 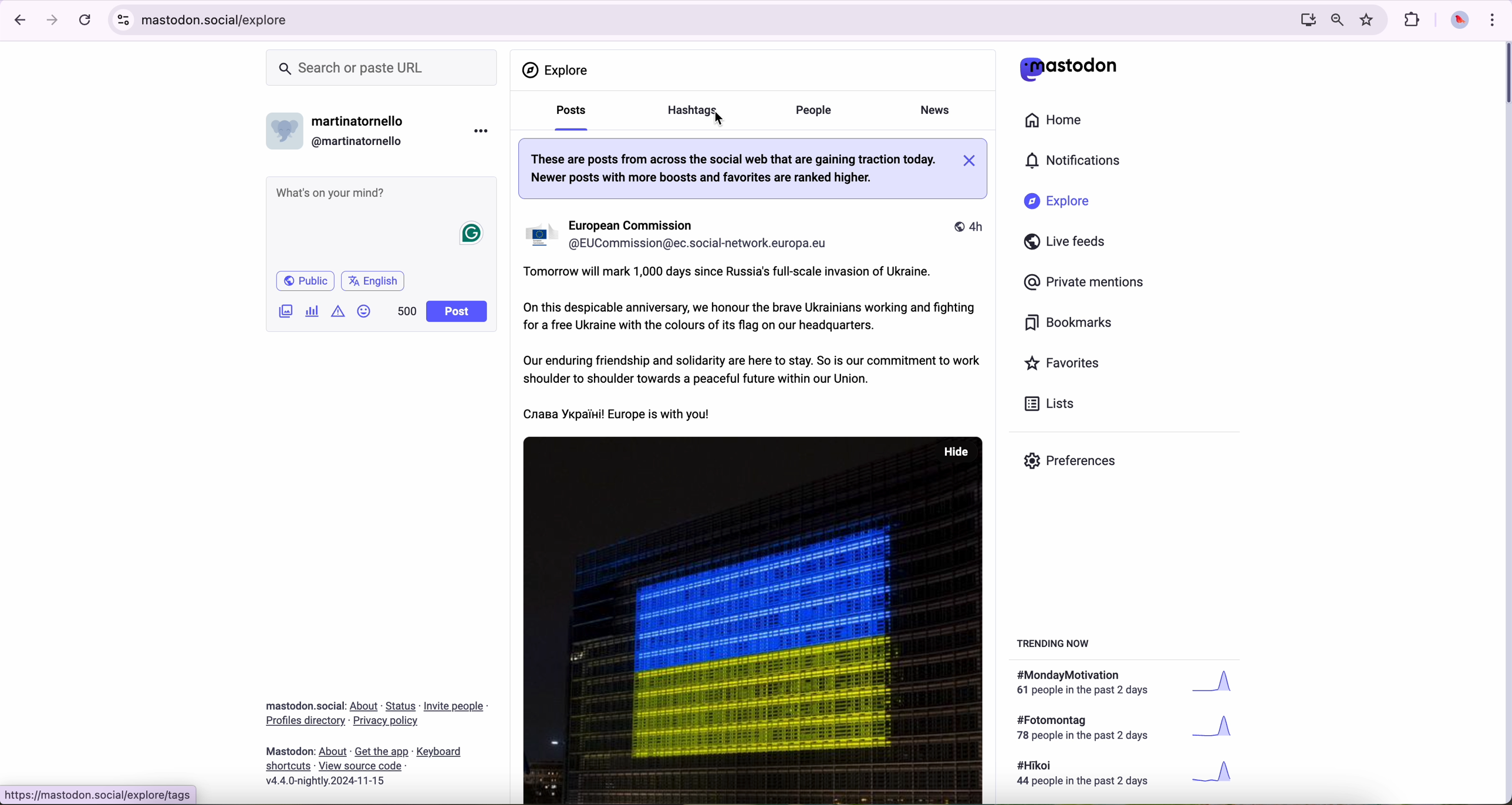 What do you see at coordinates (1305, 21) in the screenshot?
I see `screen` at bounding box center [1305, 21].